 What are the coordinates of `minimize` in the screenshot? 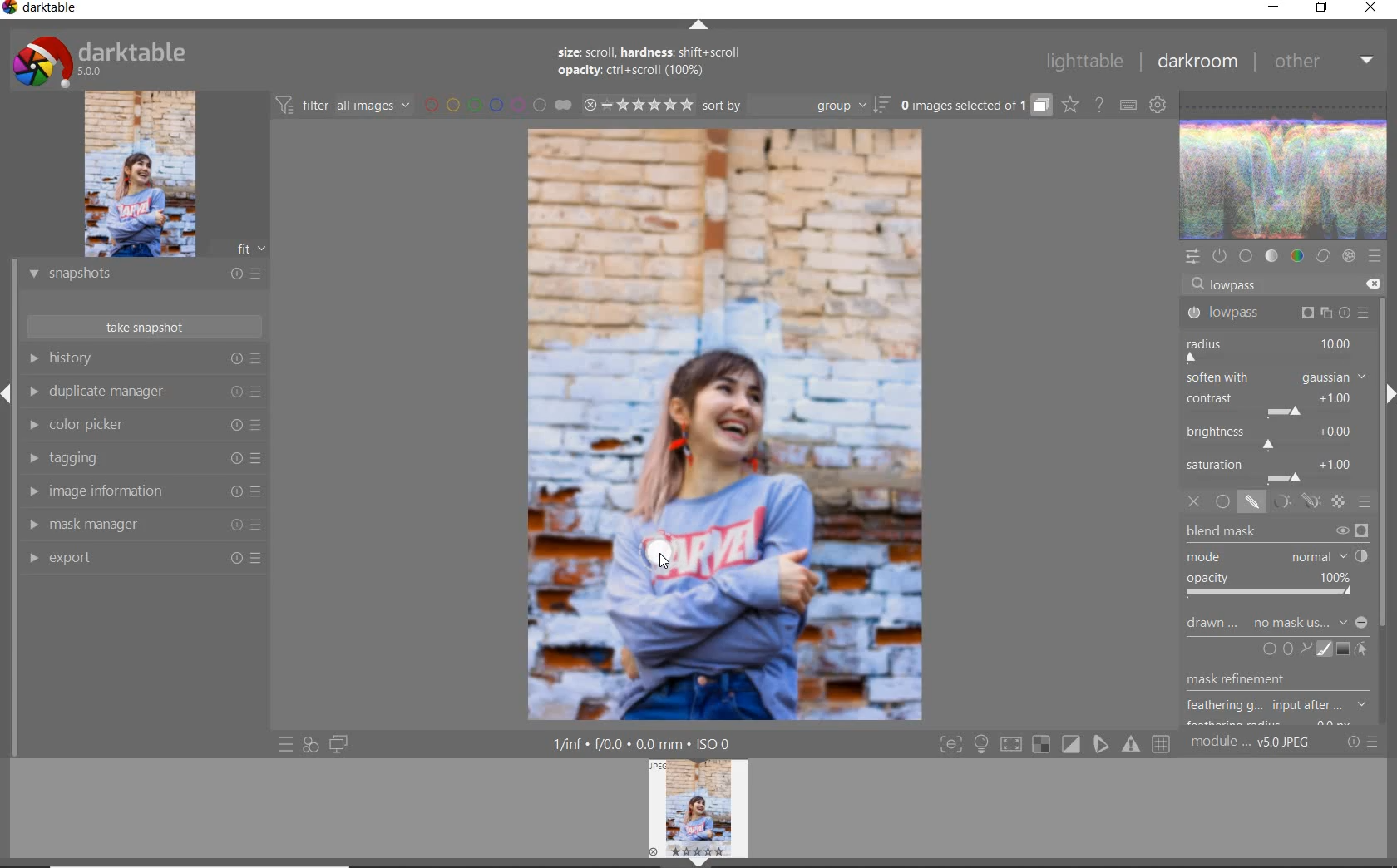 It's located at (1275, 8).